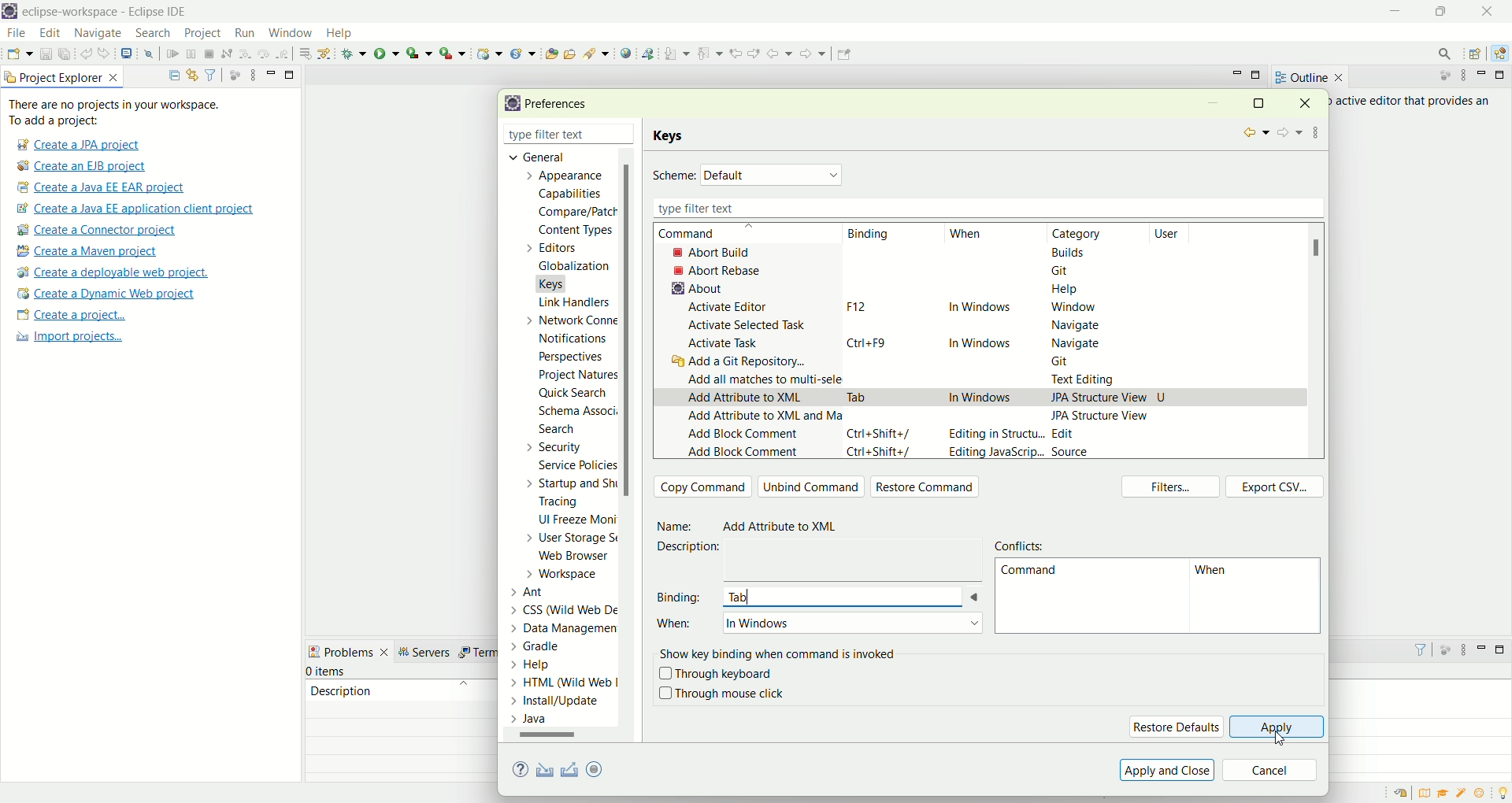 This screenshot has height=803, width=1512. What do you see at coordinates (118, 113) in the screenshot?
I see `There are no projects in your workspace. To add a project:` at bounding box center [118, 113].